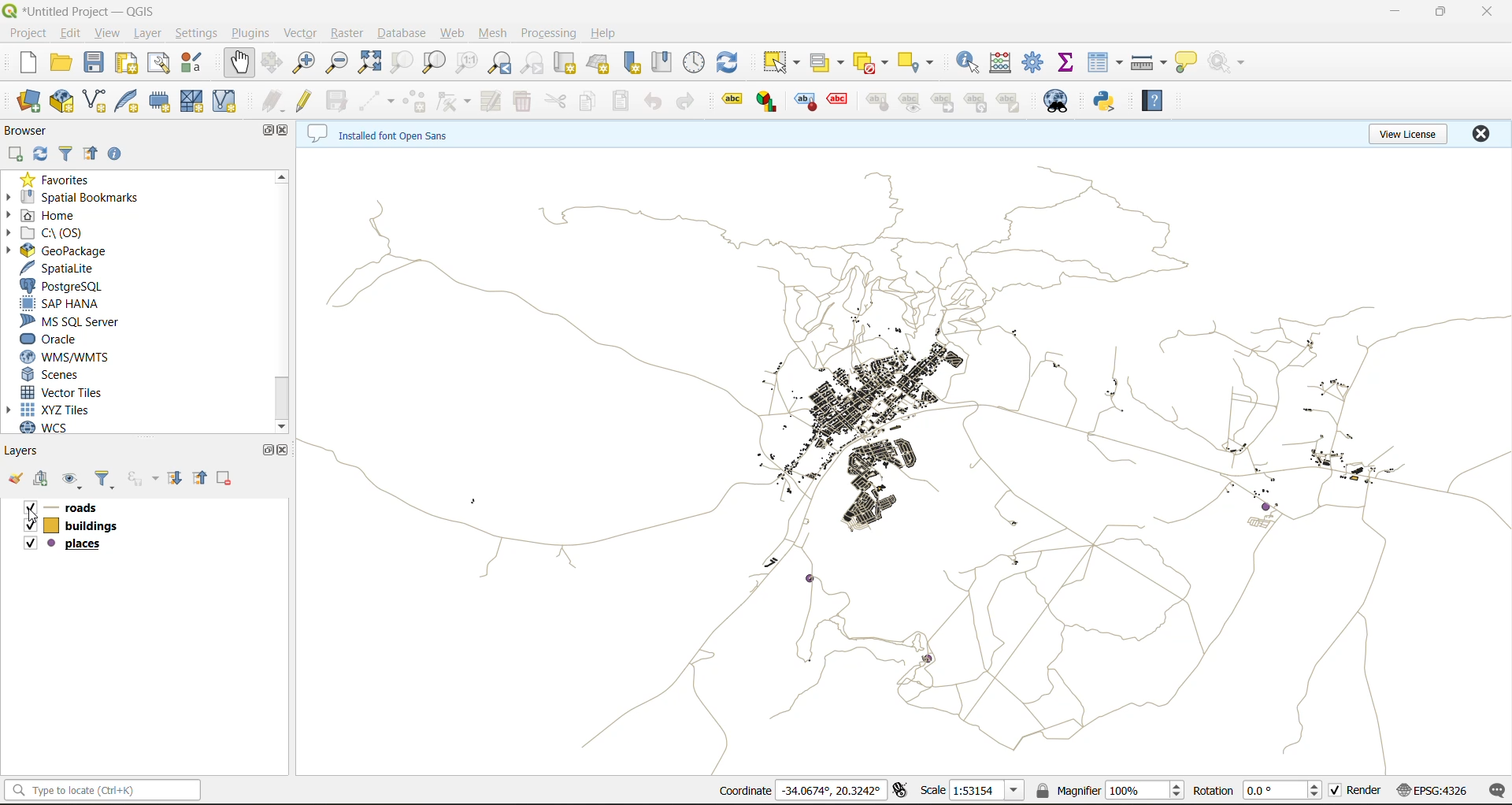 Image resolution: width=1512 pixels, height=805 pixels. I want to click on new spatialite, so click(130, 102).